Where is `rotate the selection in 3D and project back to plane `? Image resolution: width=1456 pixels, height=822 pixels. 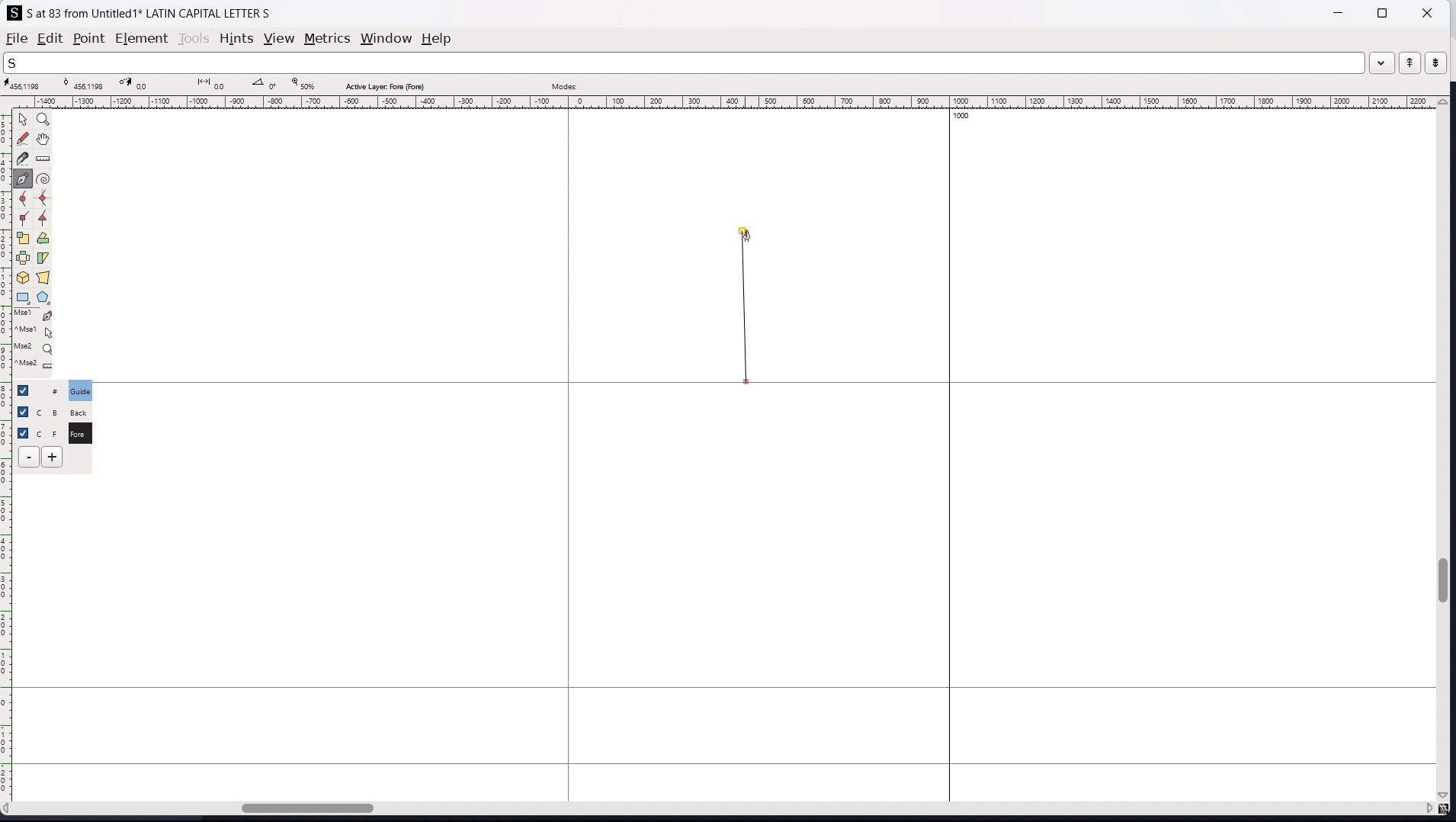
rotate the selection in 3D and project back to plane  is located at coordinates (23, 278).